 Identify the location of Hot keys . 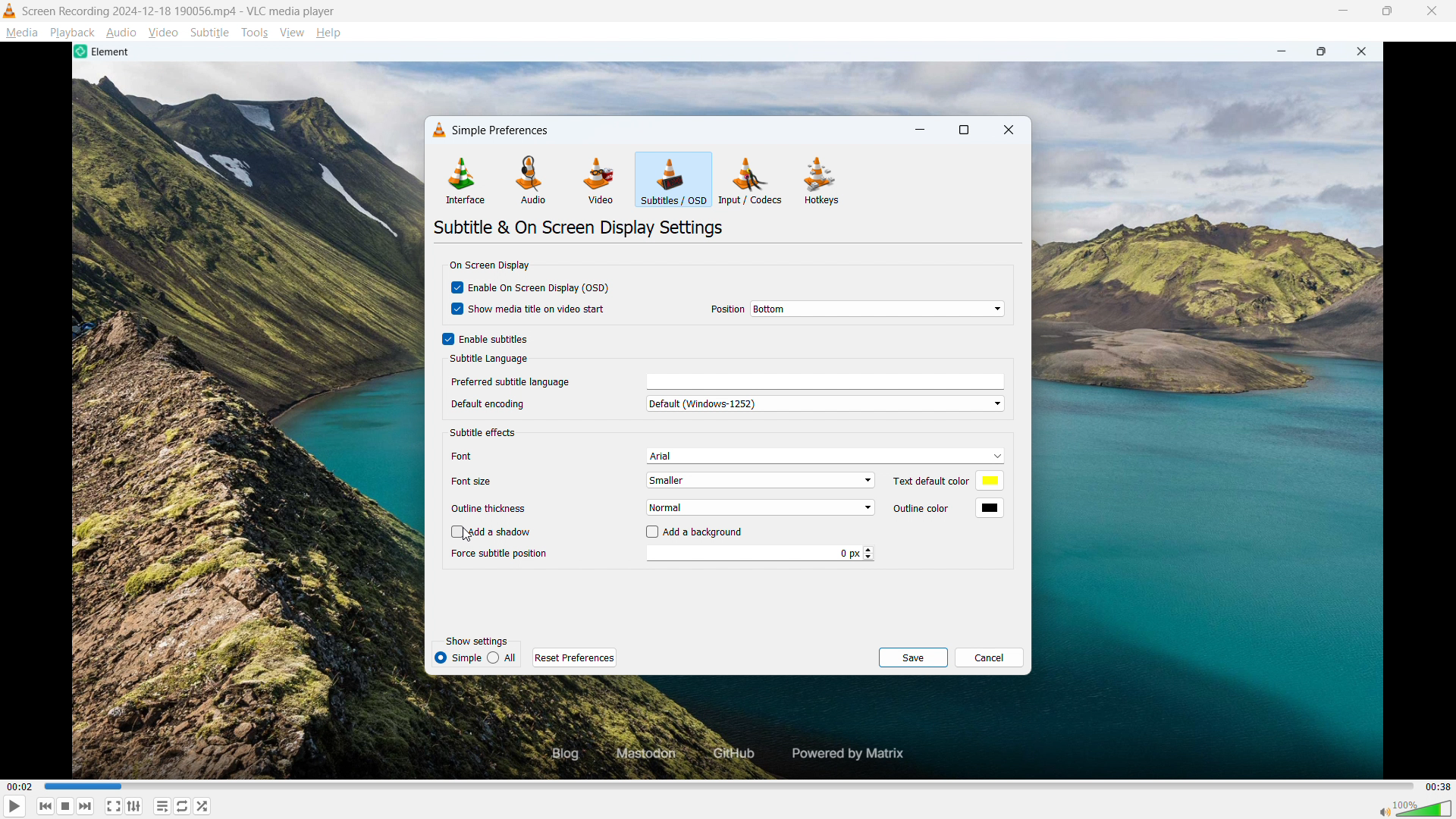
(821, 180).